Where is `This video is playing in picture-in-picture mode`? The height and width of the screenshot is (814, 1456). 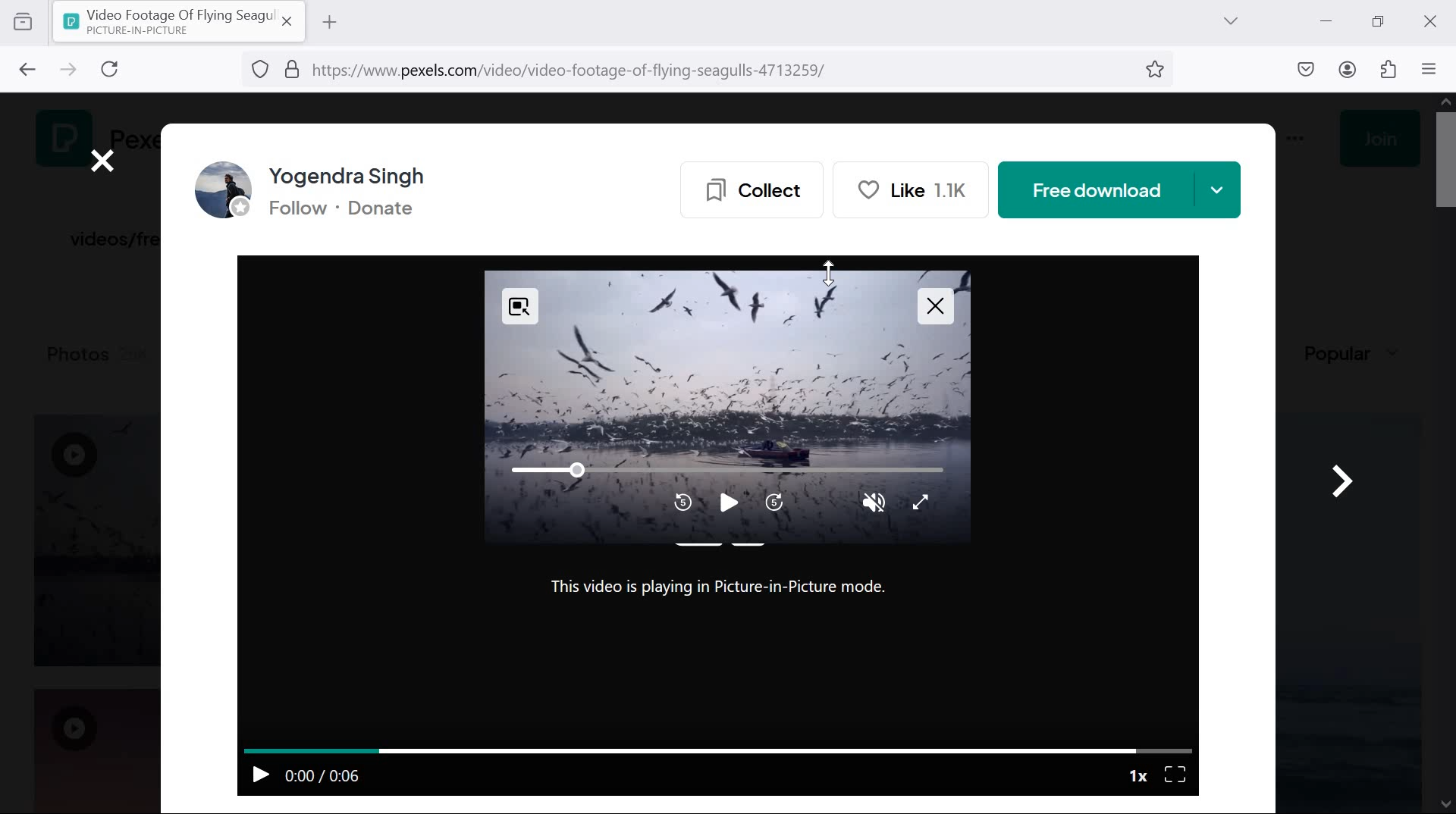 This video is playing in picture-in-picture mode is located at coordinates (724, 593).